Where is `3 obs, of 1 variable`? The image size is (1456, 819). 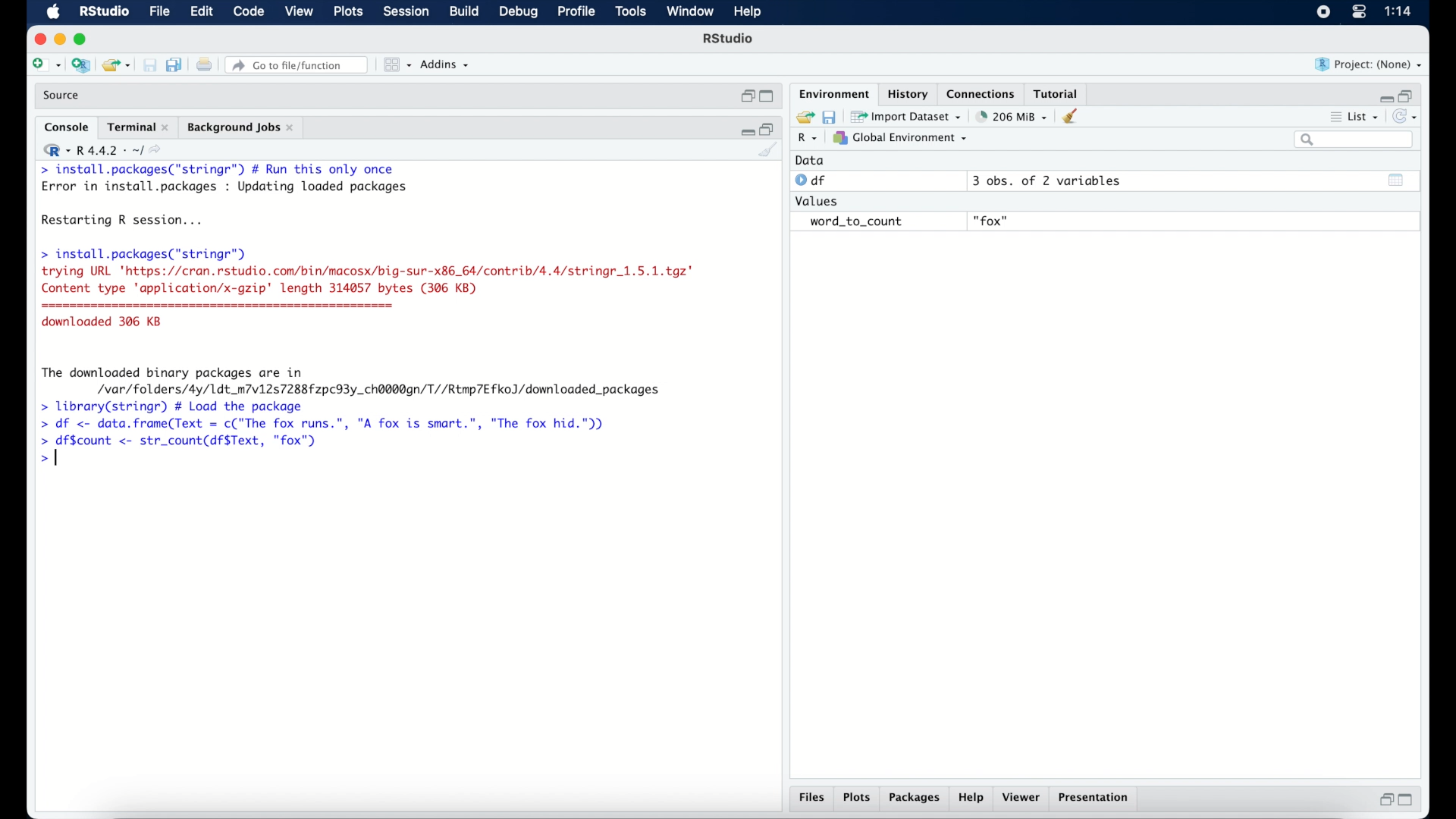
3 obs, of 1 variable is located at coordinates (1050, 180).